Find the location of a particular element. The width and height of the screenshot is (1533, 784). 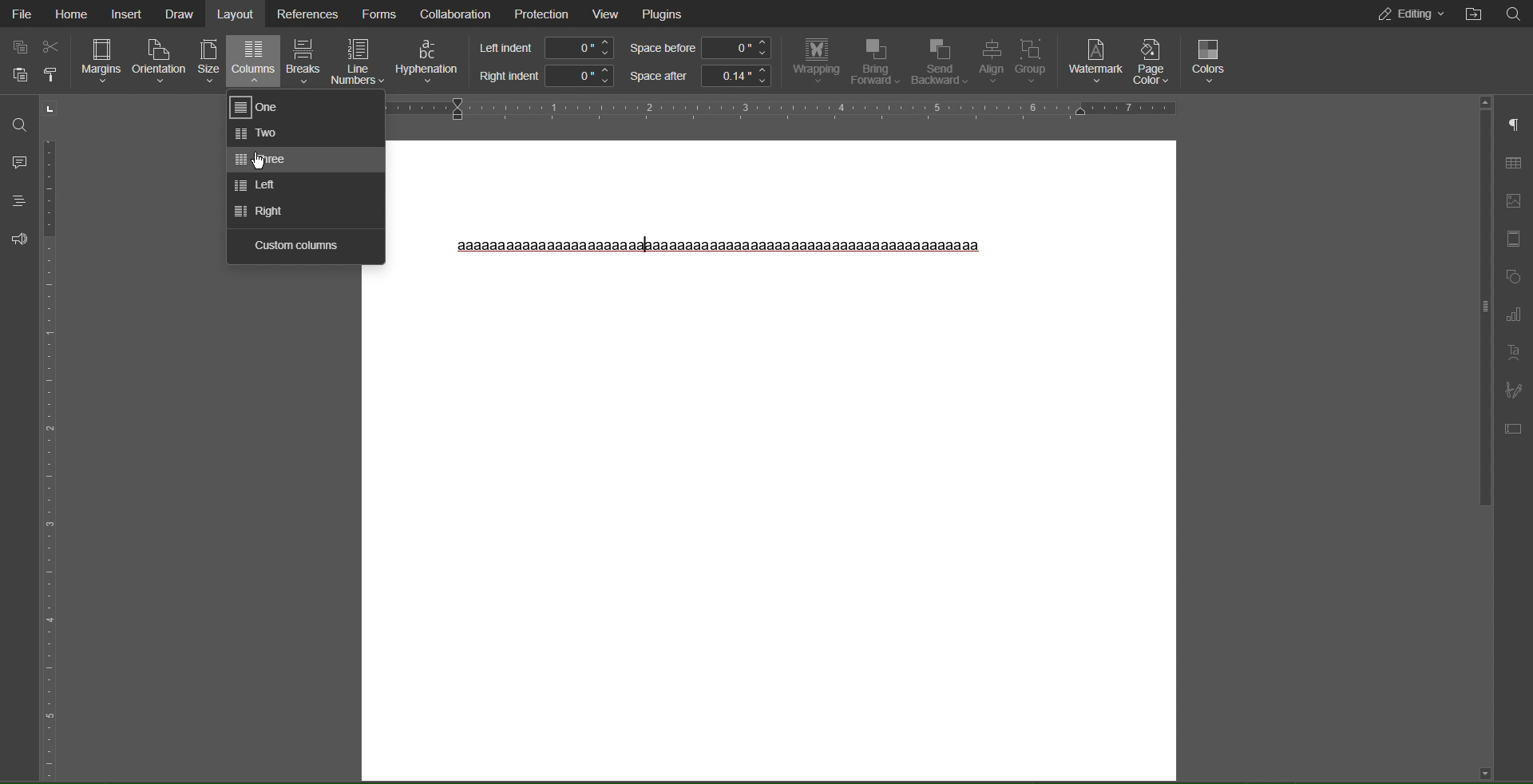

Vertical Ruler is located at coordinates (55, 438).